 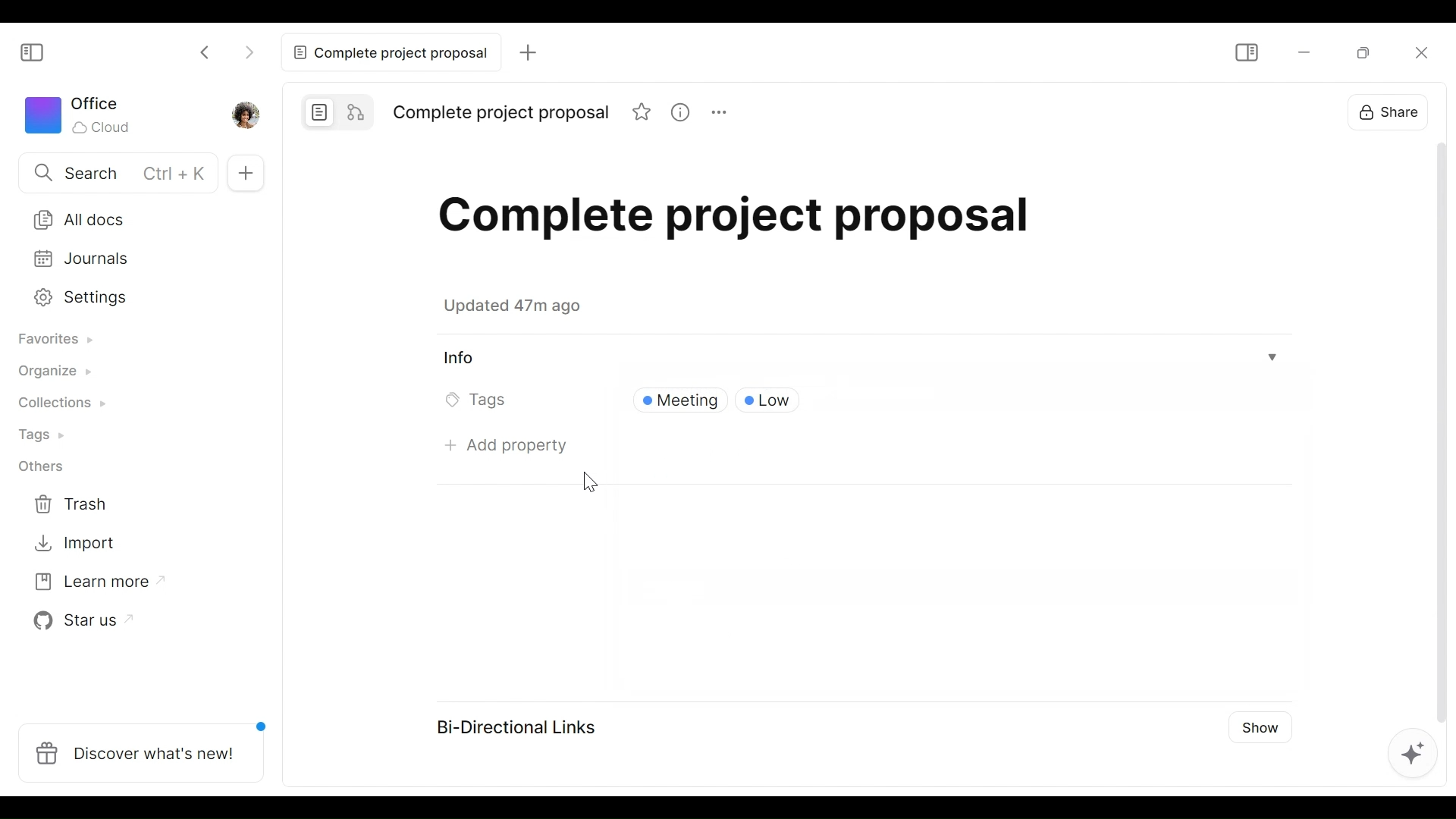 I want to click on minimize, so click(x=1302, y=52).